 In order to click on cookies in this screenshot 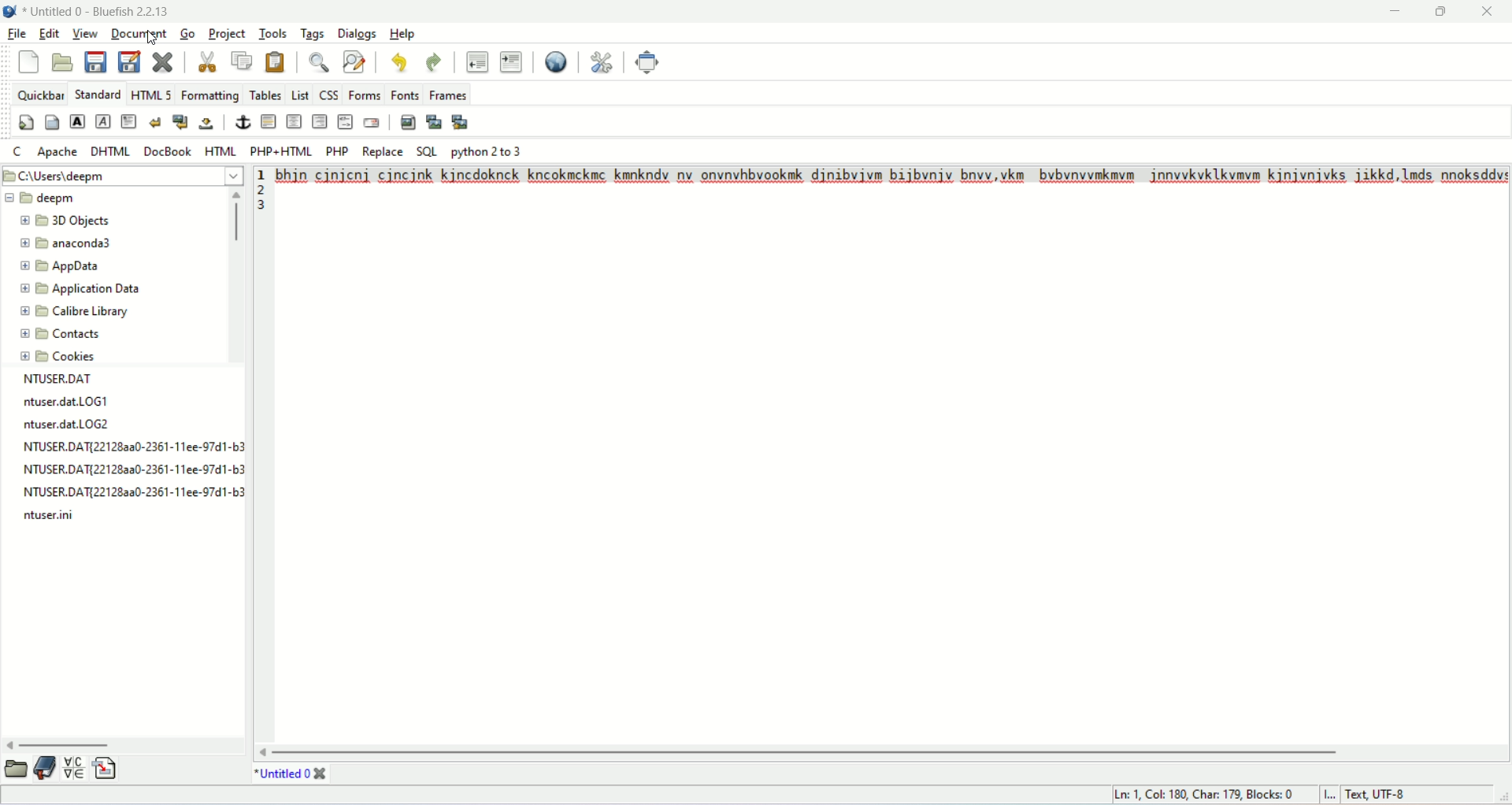, I will do `click(56, 358)`.